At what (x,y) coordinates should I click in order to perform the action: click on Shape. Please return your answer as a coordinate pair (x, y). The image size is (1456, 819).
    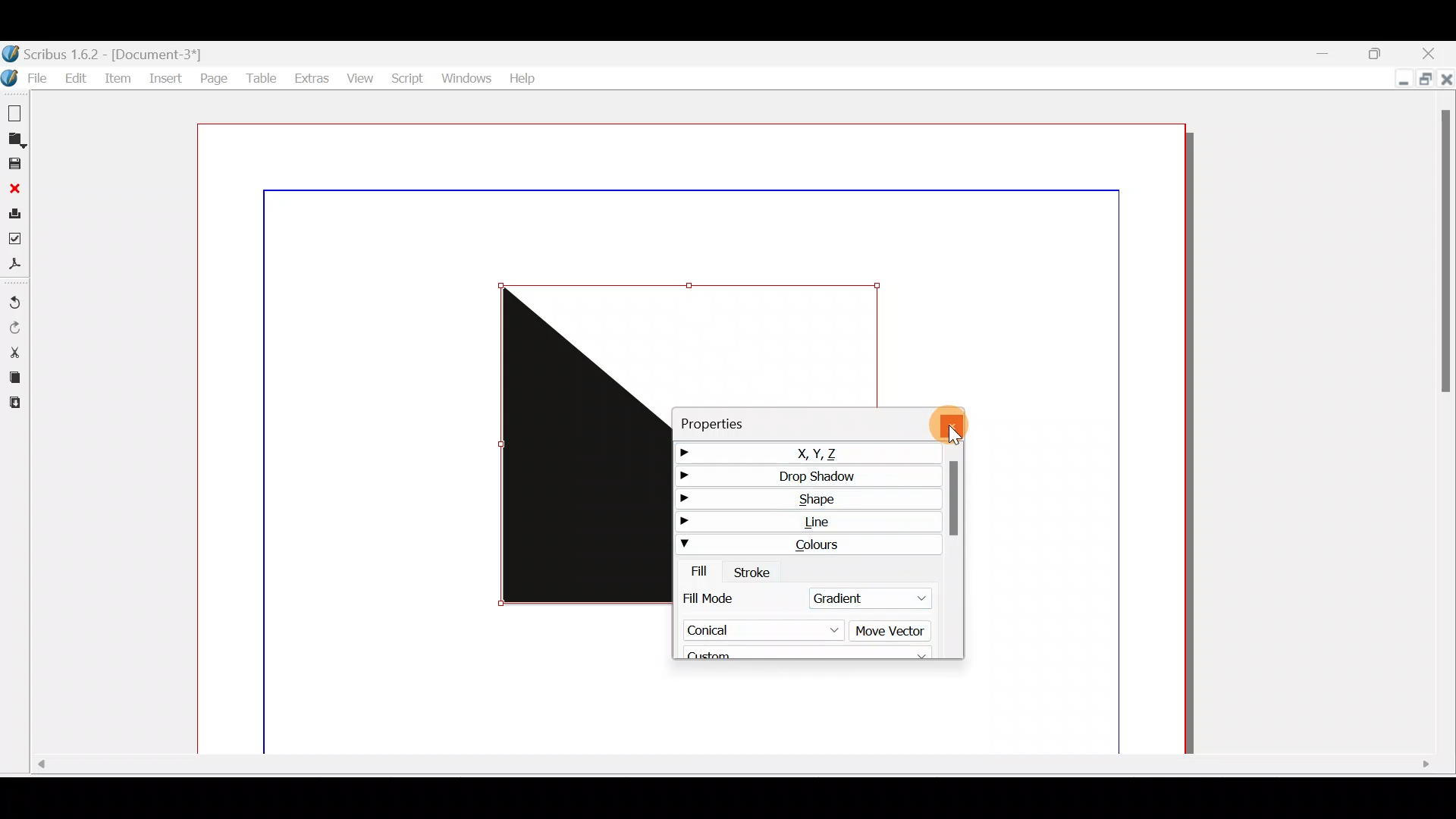
    Looking at the image, I should click on (807, 497).